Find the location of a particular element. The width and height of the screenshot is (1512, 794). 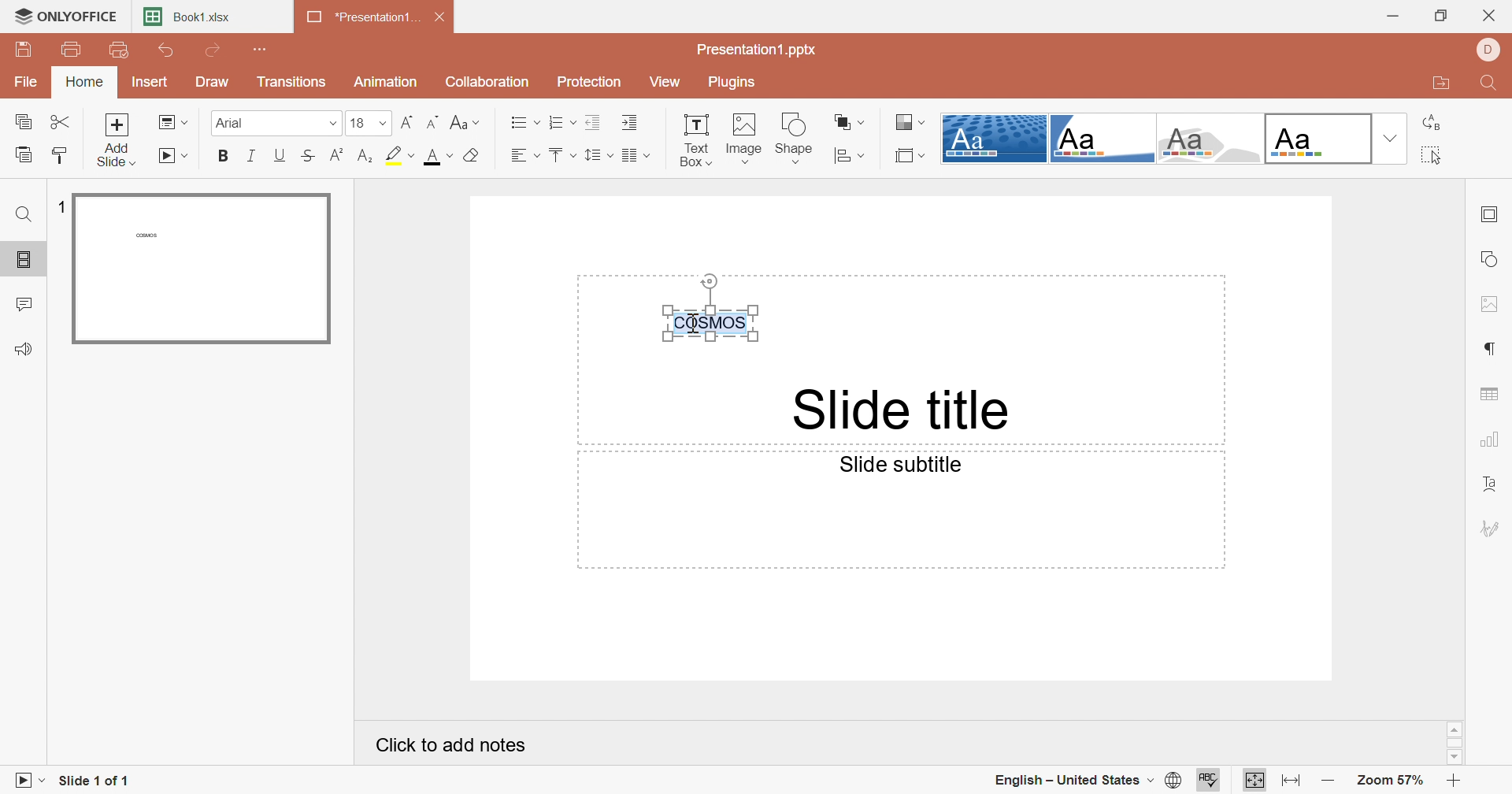

Save is located at coordinates (17, 48).